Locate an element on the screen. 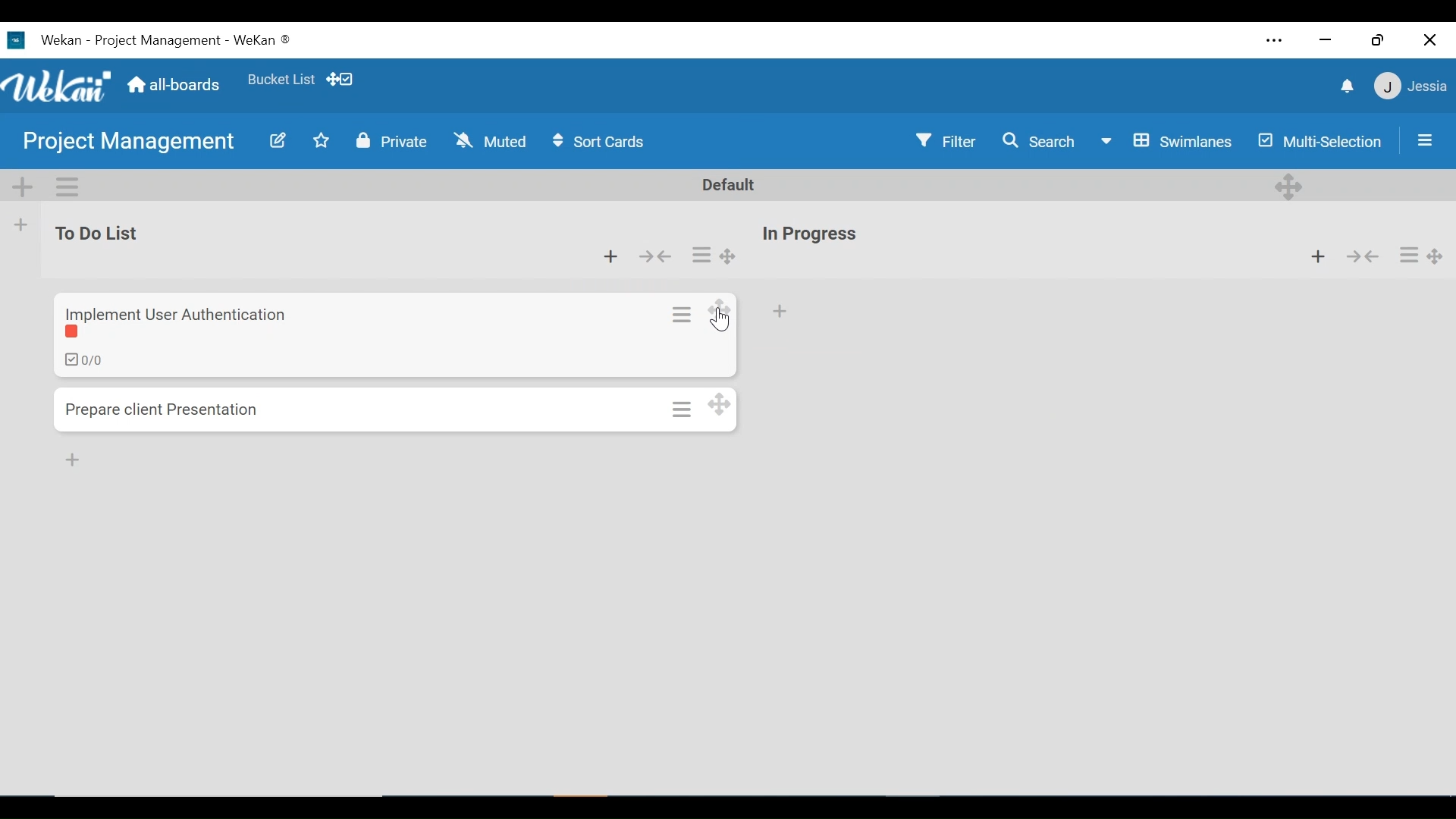 The image size is (1456, 819). Card actions is located at coordinates (681, 313).